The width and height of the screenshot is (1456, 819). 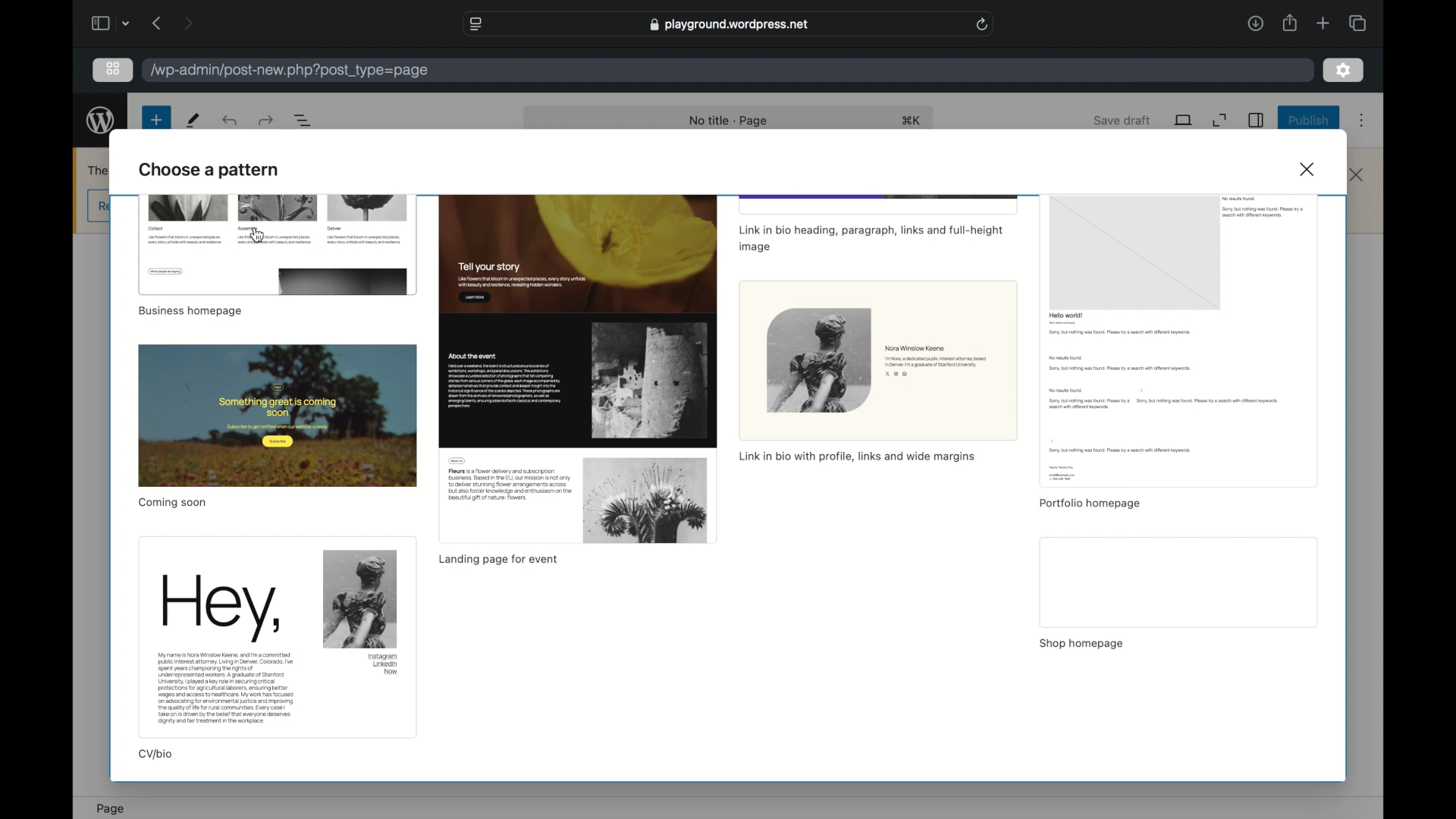 I want to click on new tab, so click(x=1323, y=23).